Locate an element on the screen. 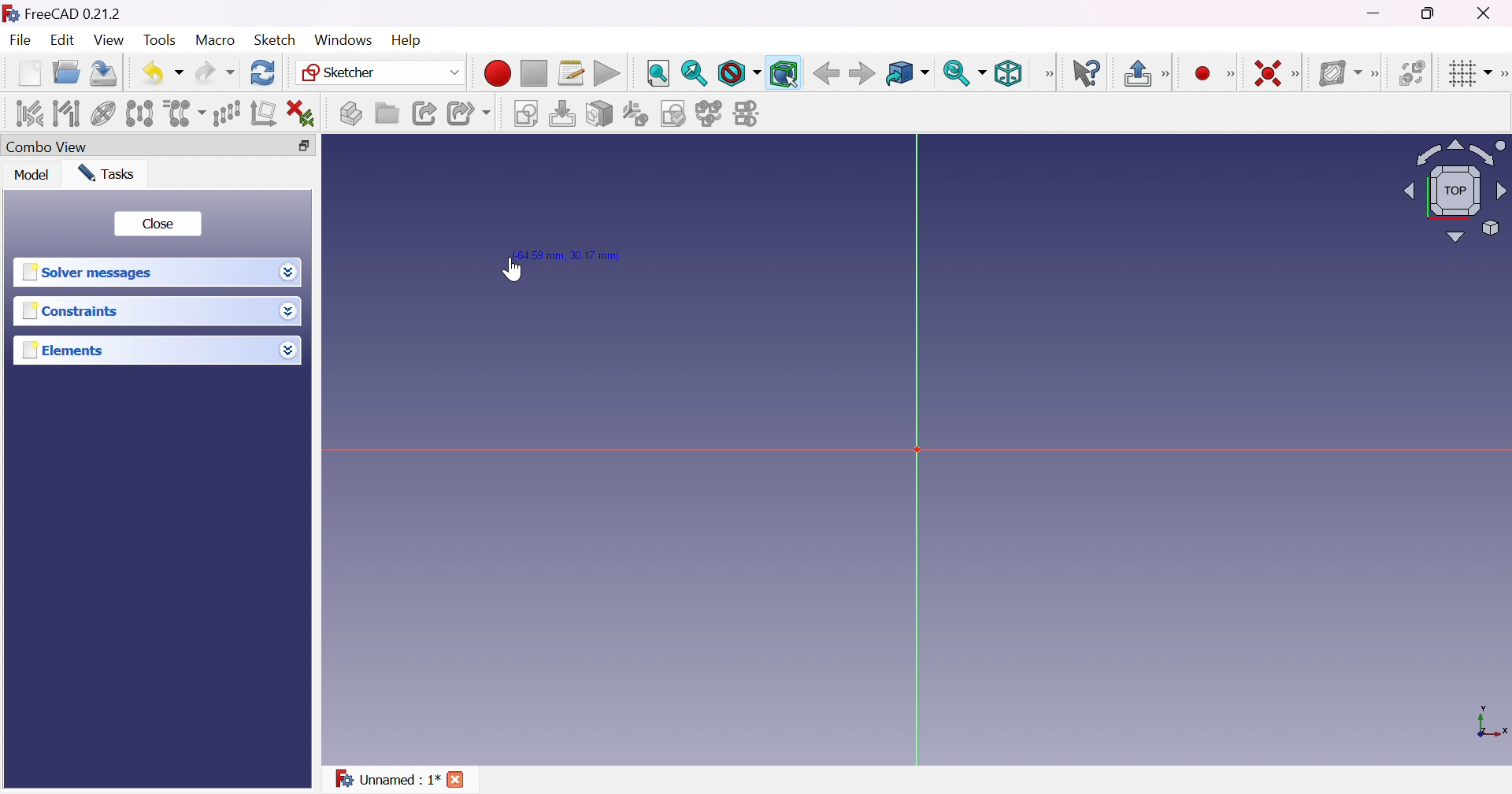 This screenshot has width=1512, height=794. Sketch is located at coordinates (276, 40).